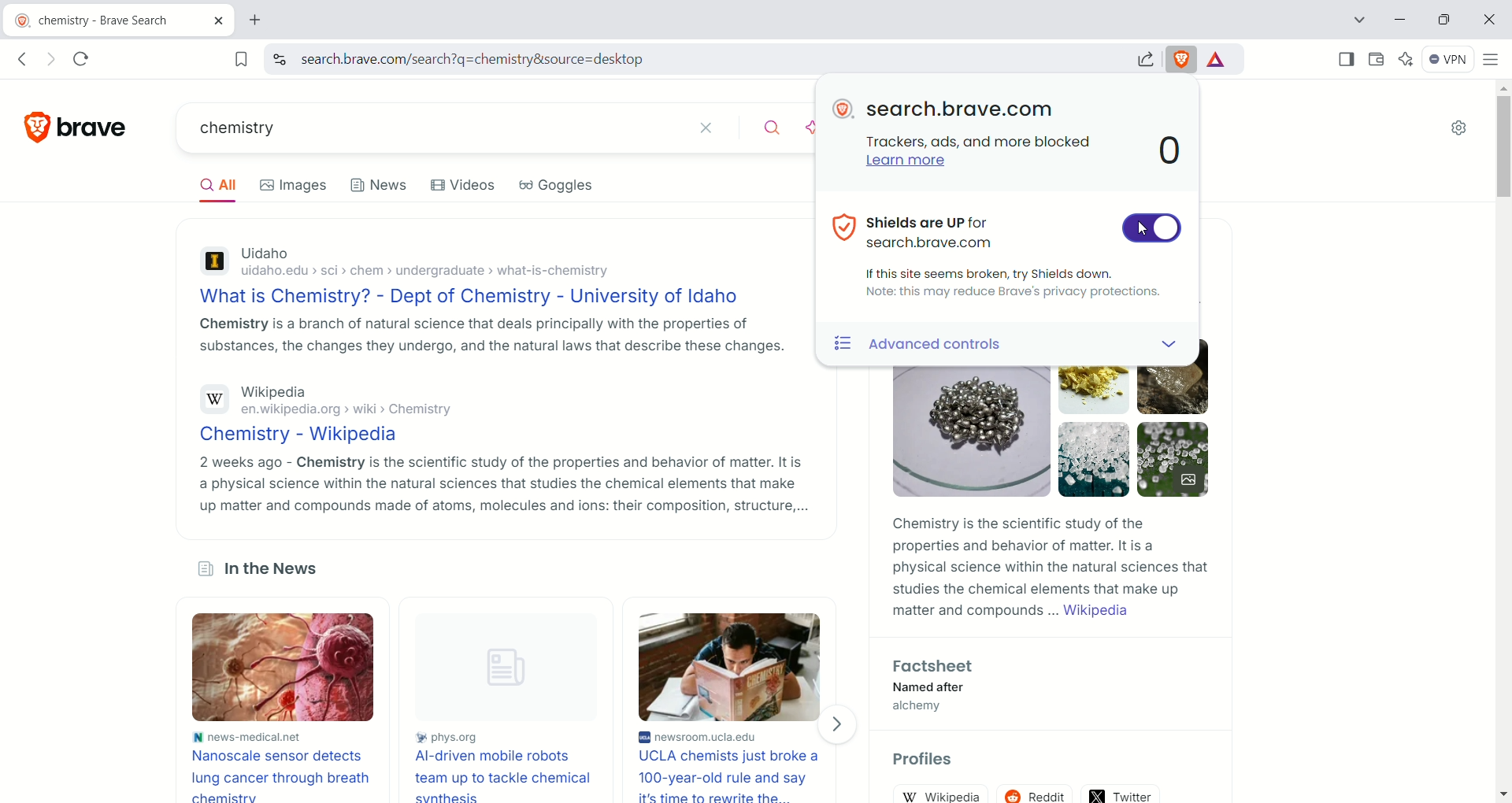 This screenshot has width=1512, height=803. What do you see at coordinates (50, 58) in the screenshot?
I see `click to go forward, hold to see history` at bounding box center [50, 58].